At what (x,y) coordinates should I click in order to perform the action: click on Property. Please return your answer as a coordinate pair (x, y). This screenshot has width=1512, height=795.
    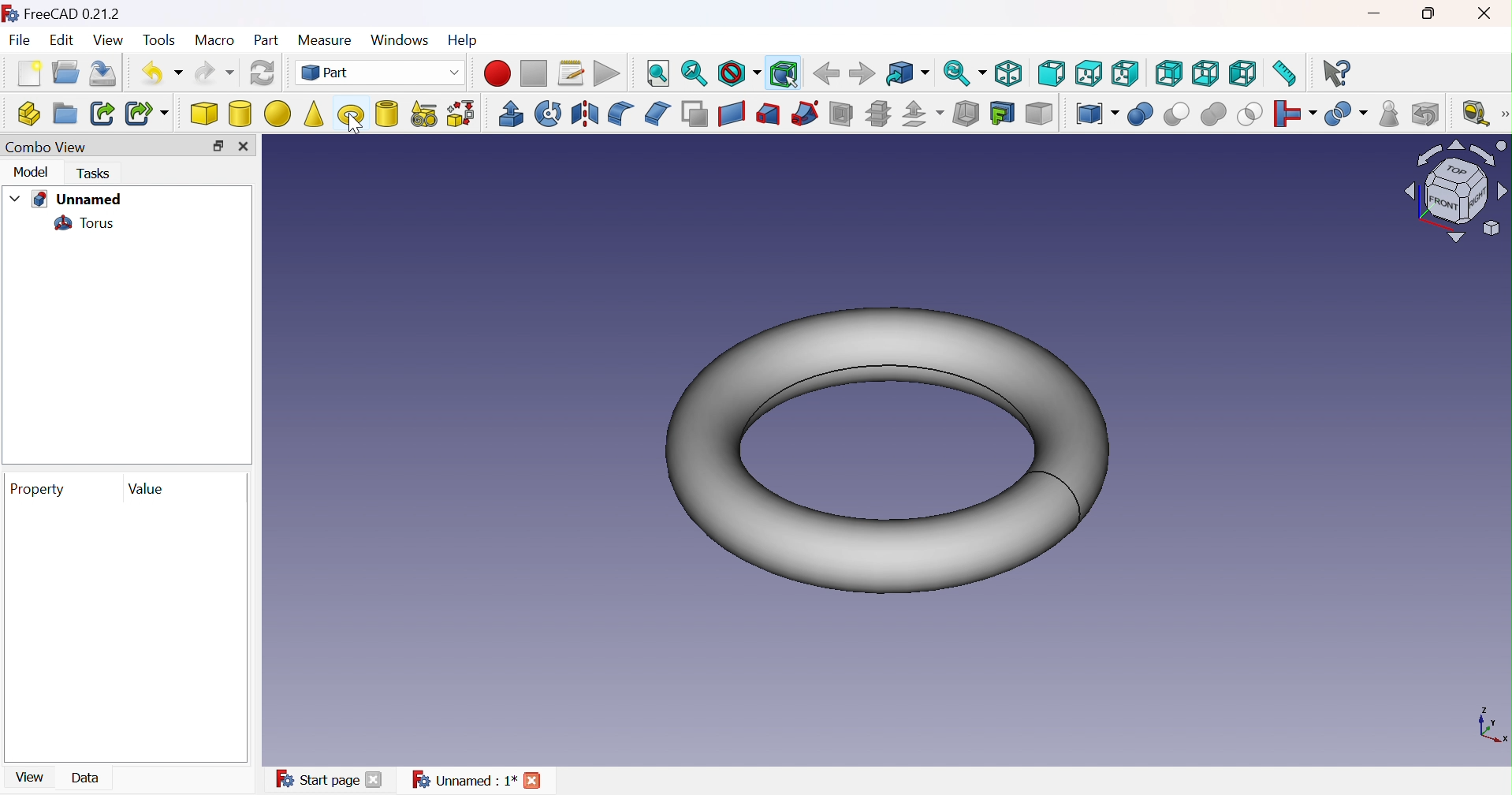
    Looking at the image, I should click on (36, 489).